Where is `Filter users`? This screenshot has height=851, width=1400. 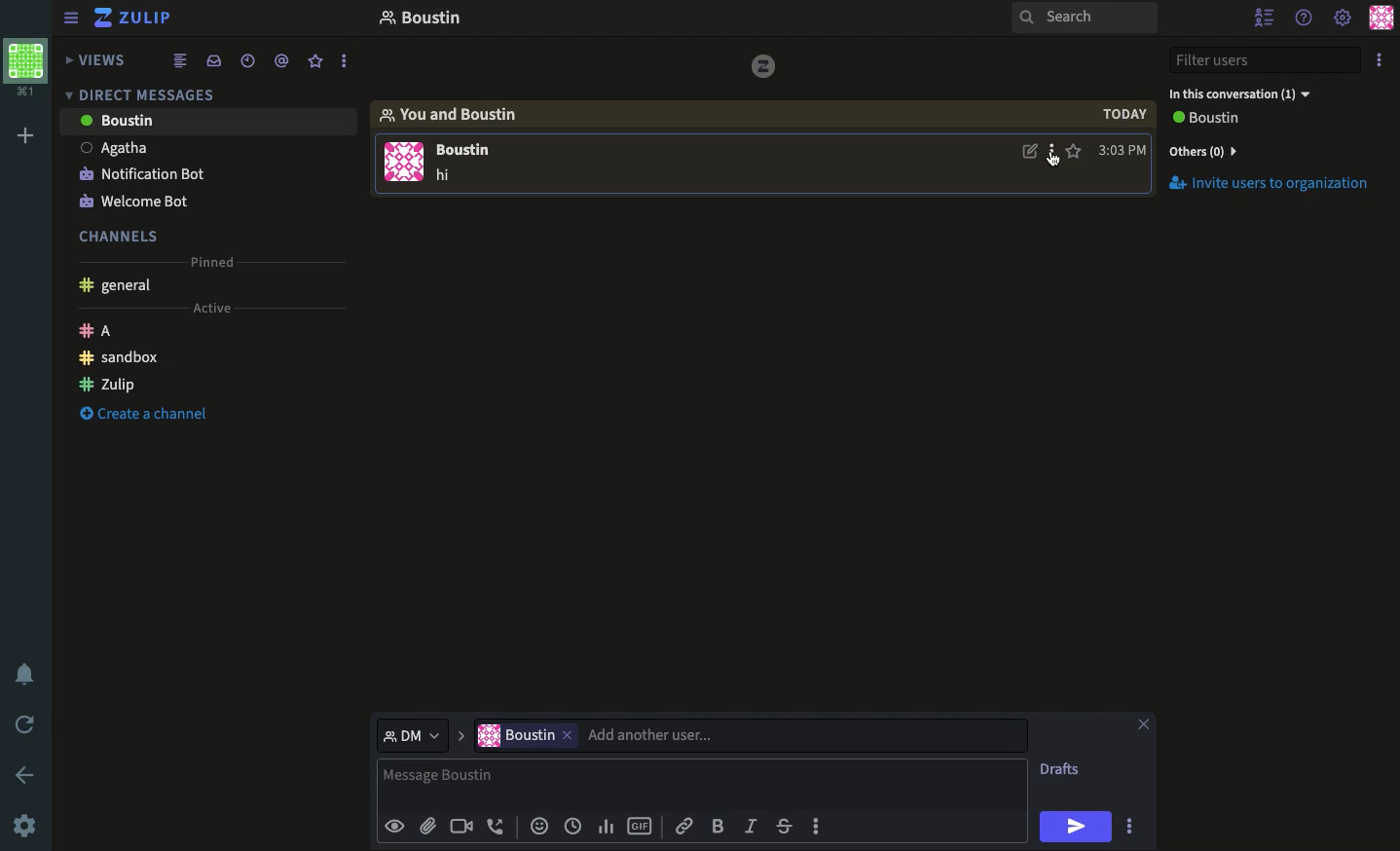 Filter users is located at coordinates (1268, 61).